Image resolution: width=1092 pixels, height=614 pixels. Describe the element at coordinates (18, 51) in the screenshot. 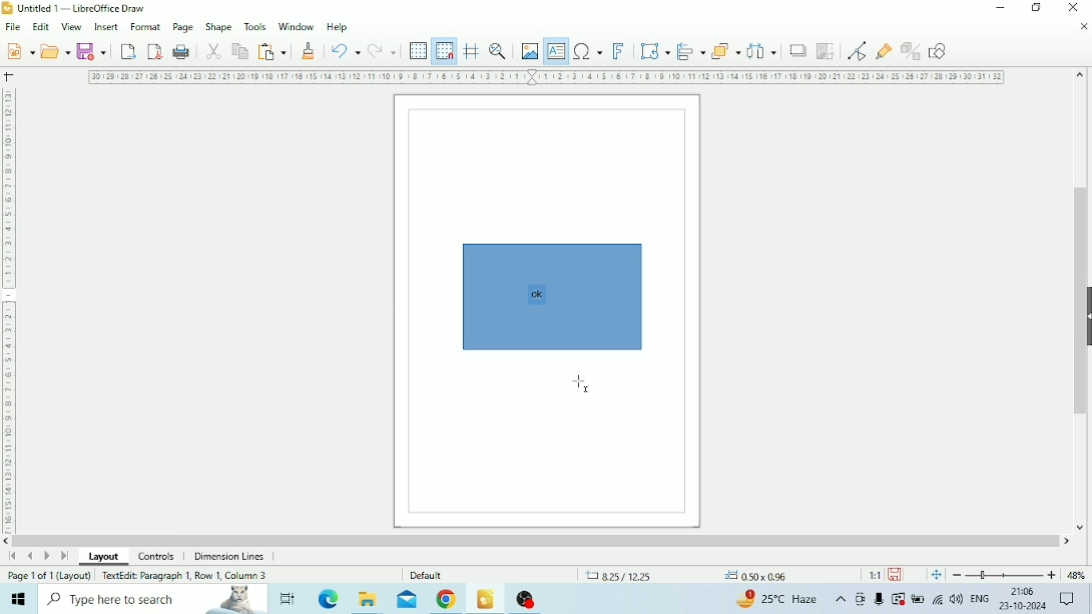

I see `New` at that location.